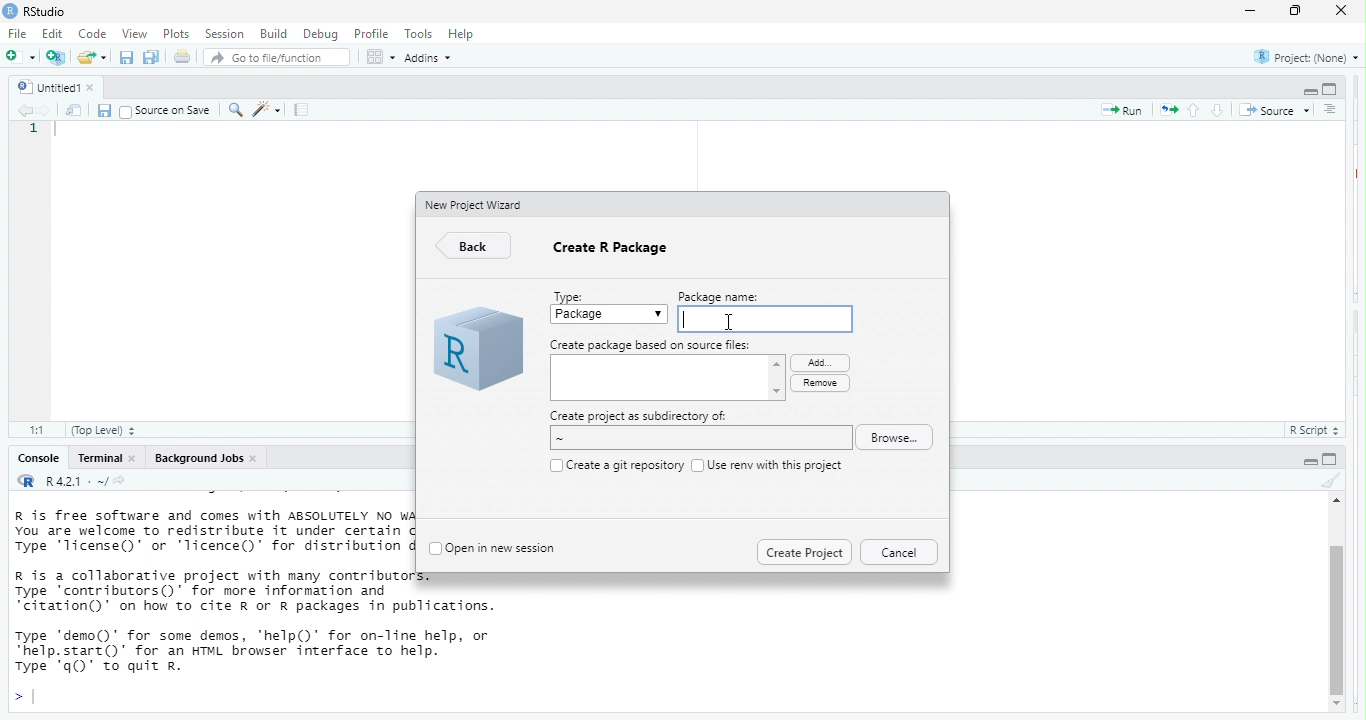  I want to click on close, so click(1343, 13).